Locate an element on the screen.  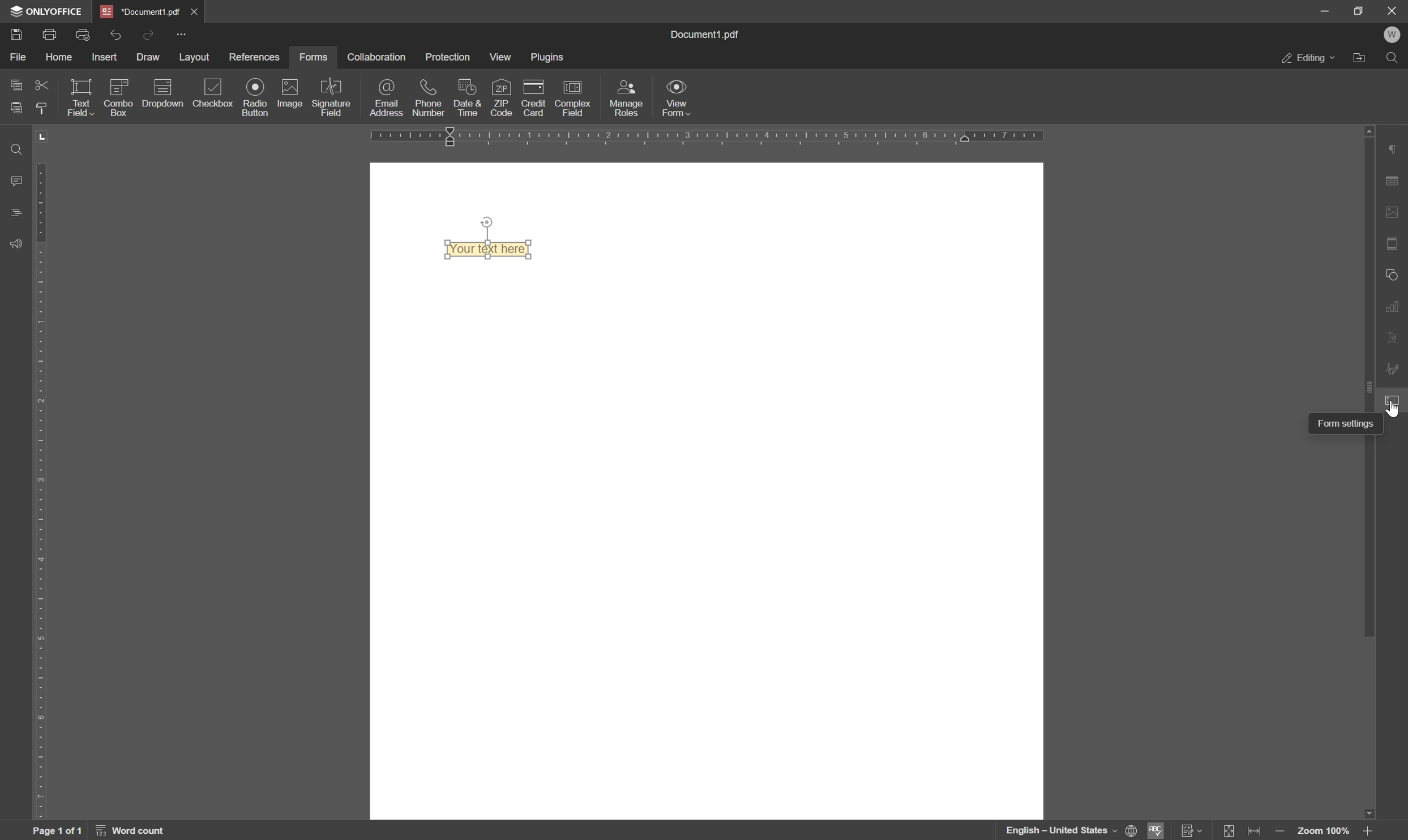
layout is located at coordinates (197, 57).